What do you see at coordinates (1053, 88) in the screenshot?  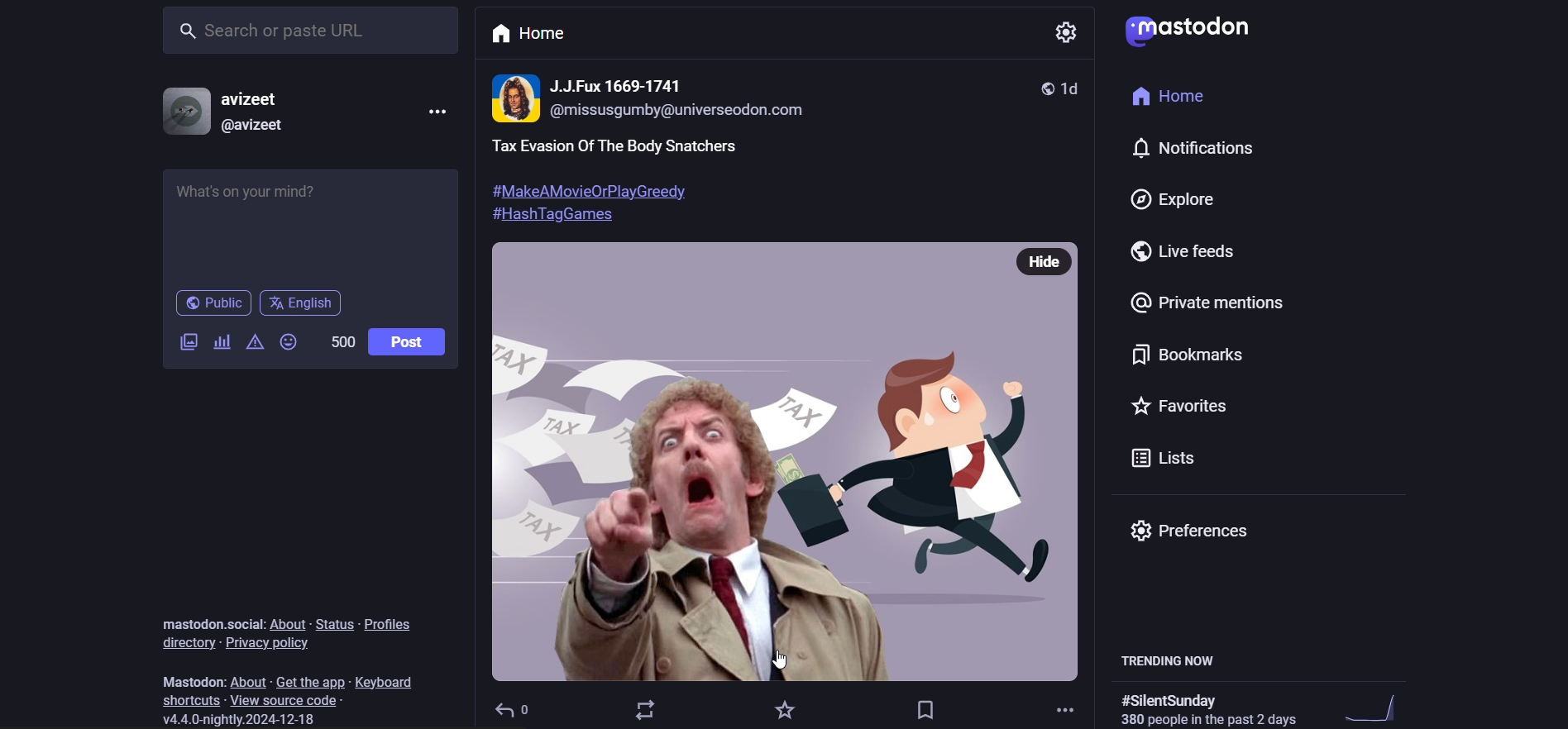 I see `1d` at bounding box center [1053, 88].